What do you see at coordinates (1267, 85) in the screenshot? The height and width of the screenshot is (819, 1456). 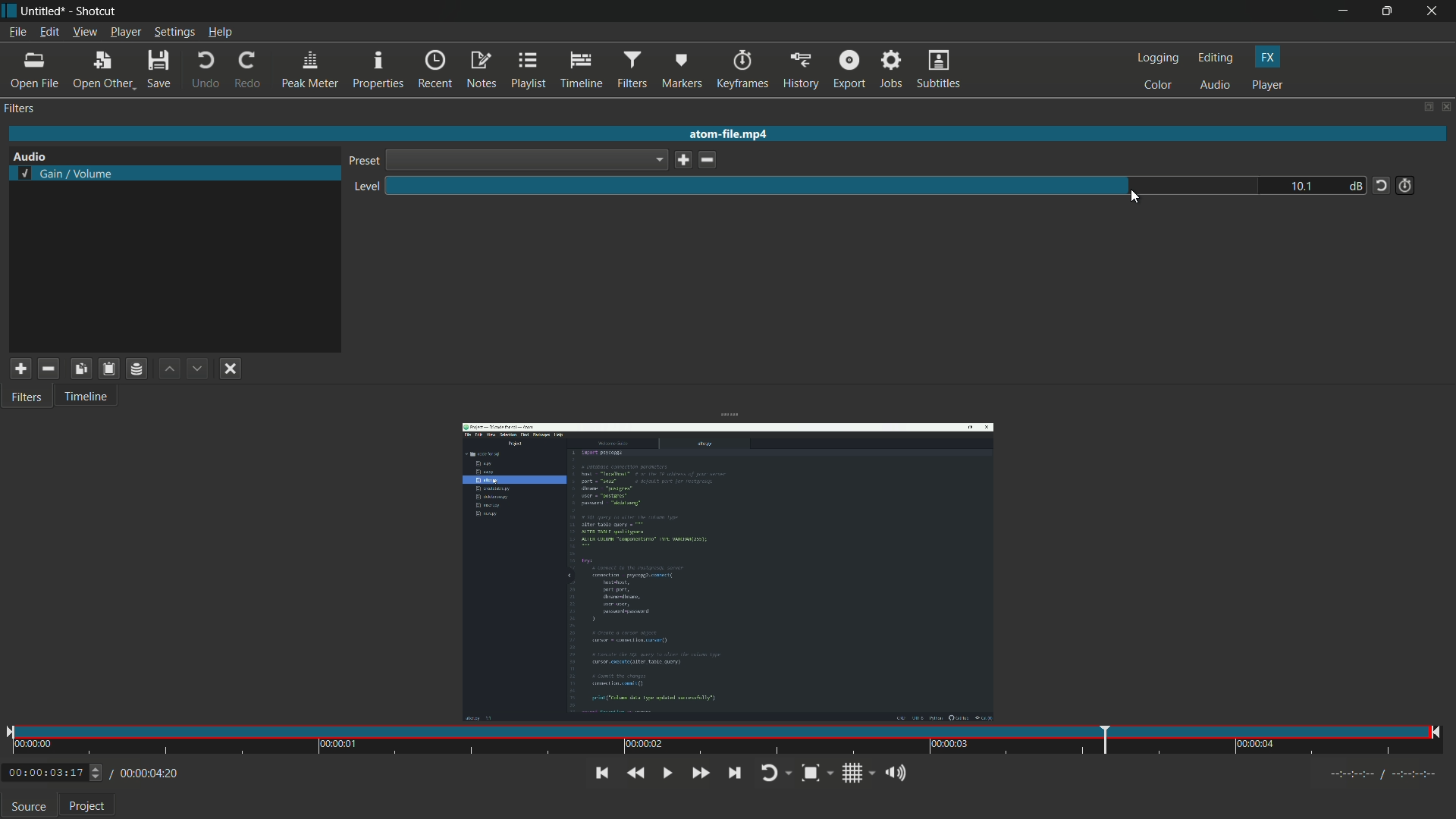 I see `player` at bounding box center [1267, 85].